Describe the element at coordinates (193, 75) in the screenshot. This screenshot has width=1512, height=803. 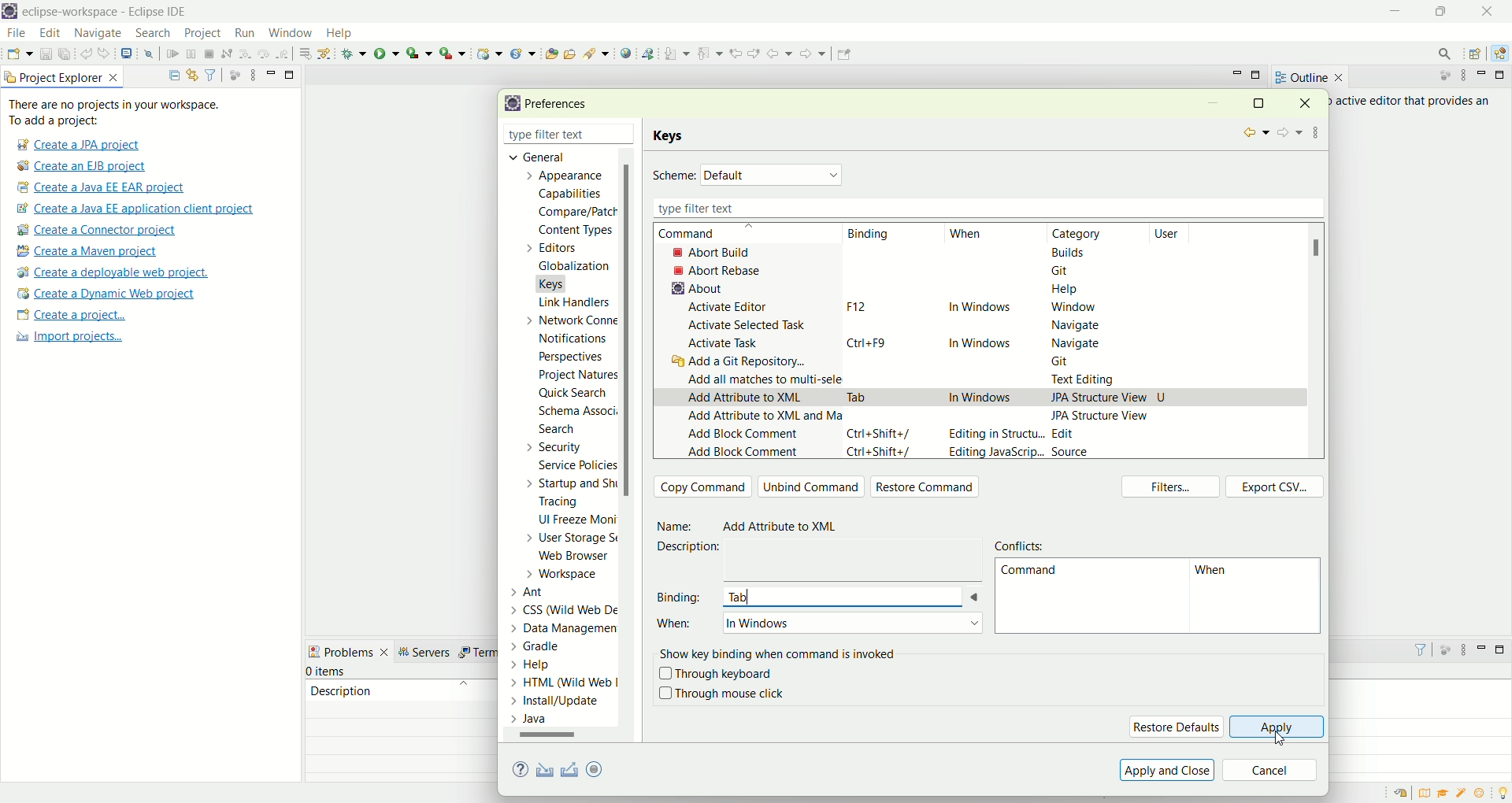
I see `link with editor` at that location.